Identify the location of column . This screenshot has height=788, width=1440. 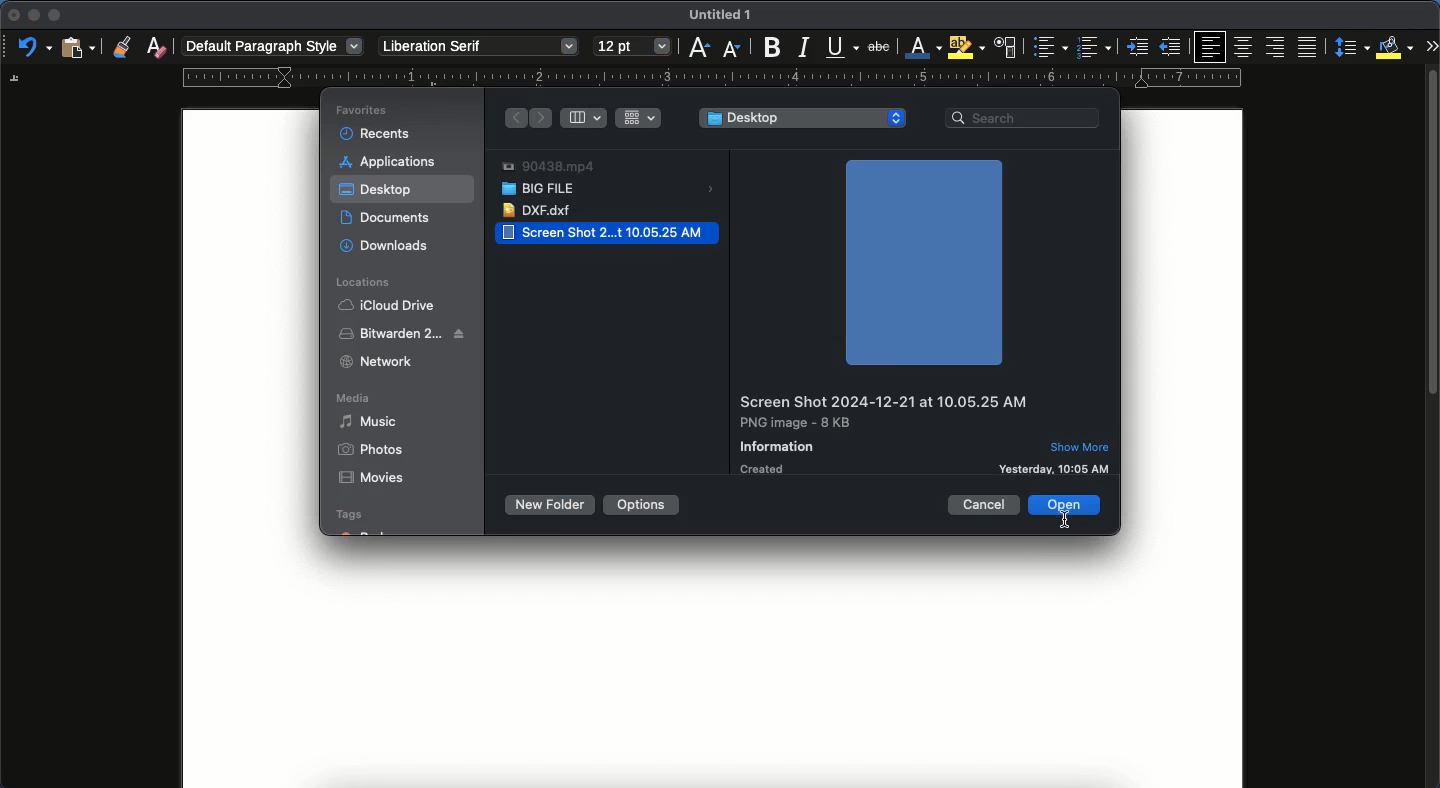
(587, 117).